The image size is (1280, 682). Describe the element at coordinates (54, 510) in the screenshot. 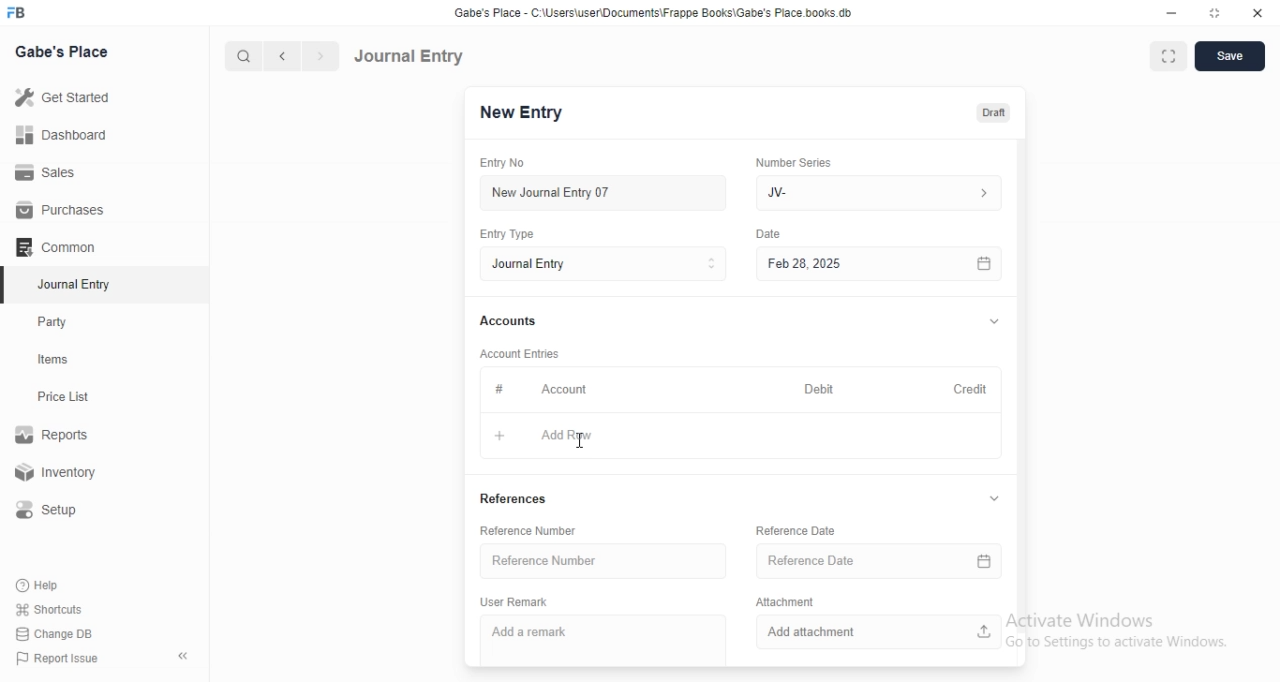

I see `Setup` at that location.